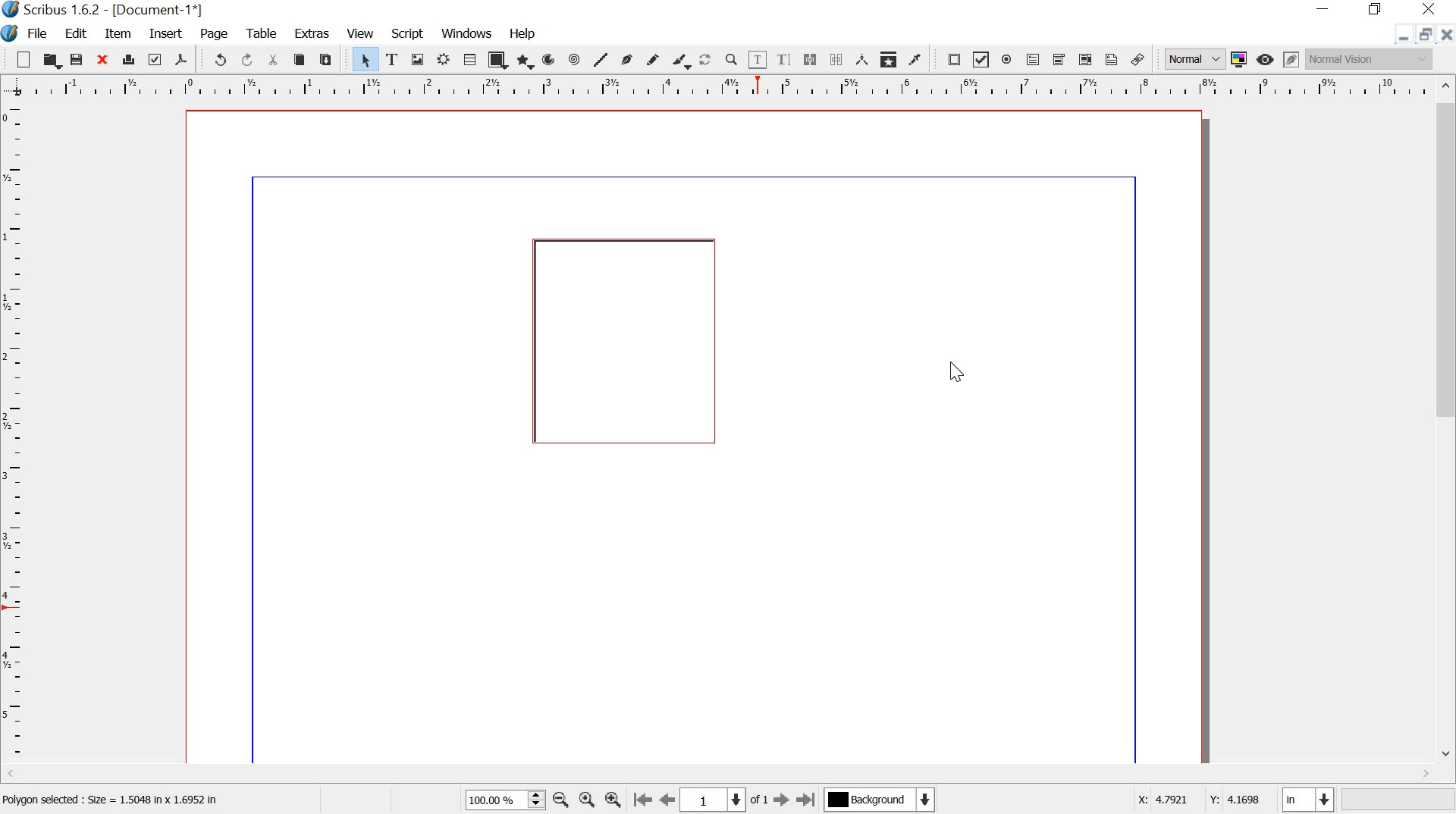 The height and width of the screenshot is (814, 1456). Describe the element at coordinates (491, 800) in the screenshot. I see `100.00%` at that location.